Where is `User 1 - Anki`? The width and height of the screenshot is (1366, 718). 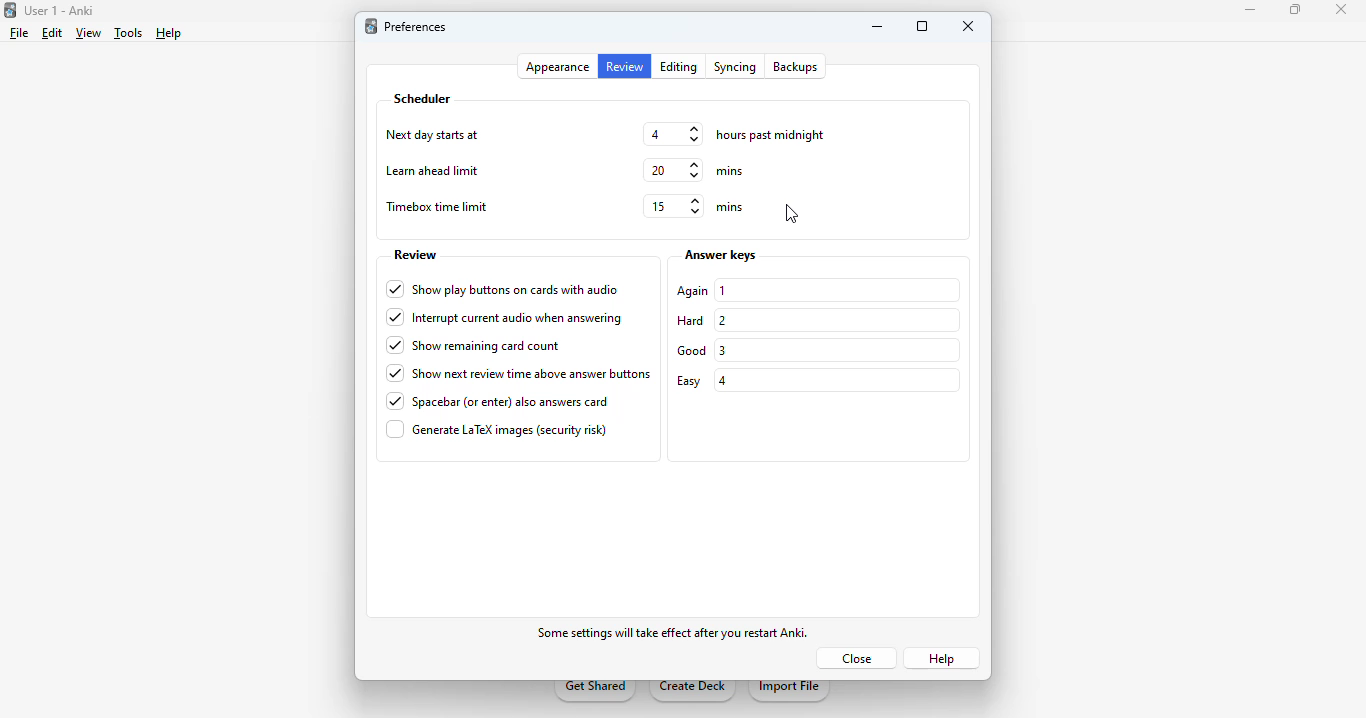 User 1 - Anki is located at coordinates (60, 11).